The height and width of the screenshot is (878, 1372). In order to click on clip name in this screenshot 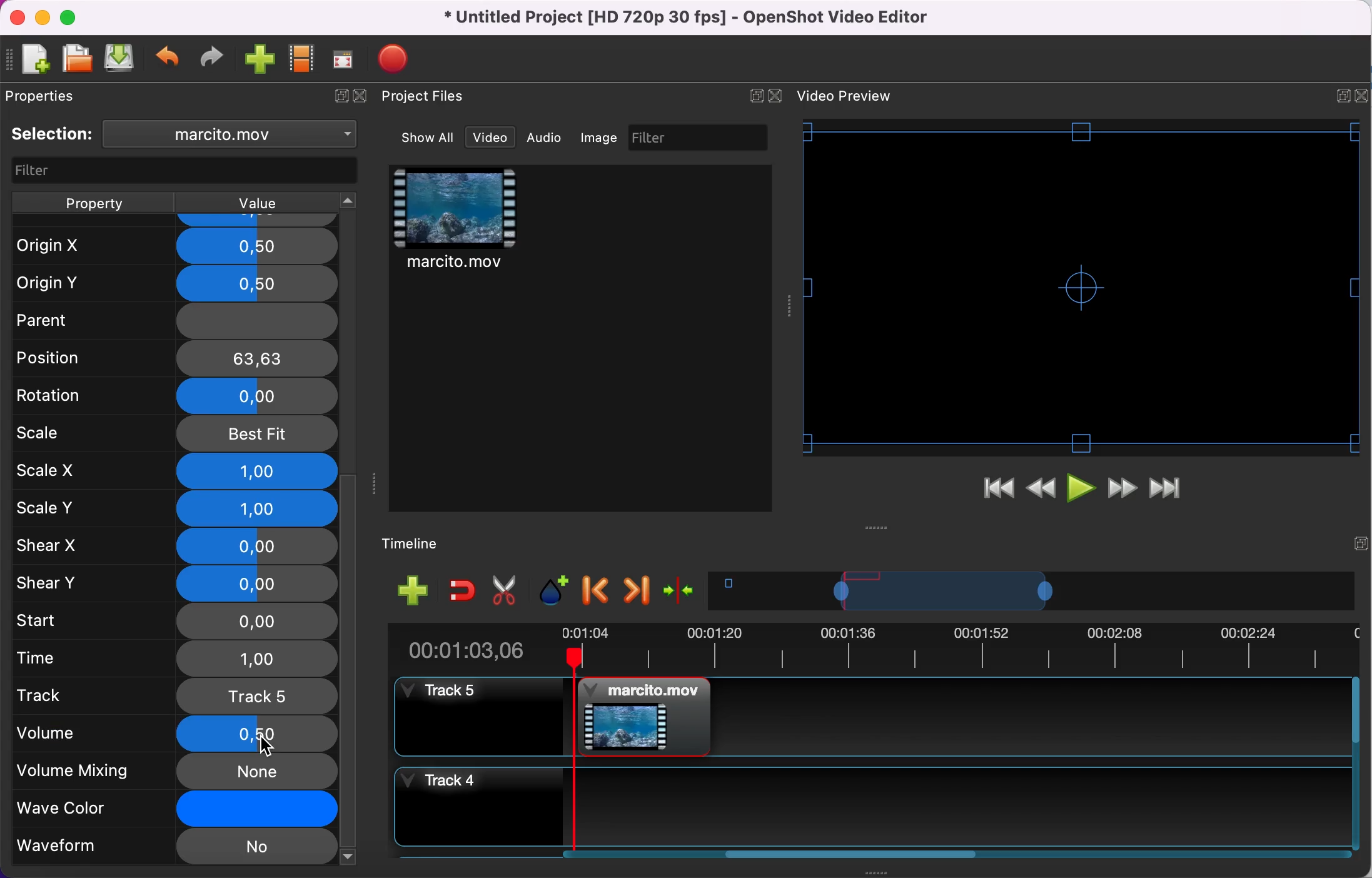, I will do `click(236, 133)`.